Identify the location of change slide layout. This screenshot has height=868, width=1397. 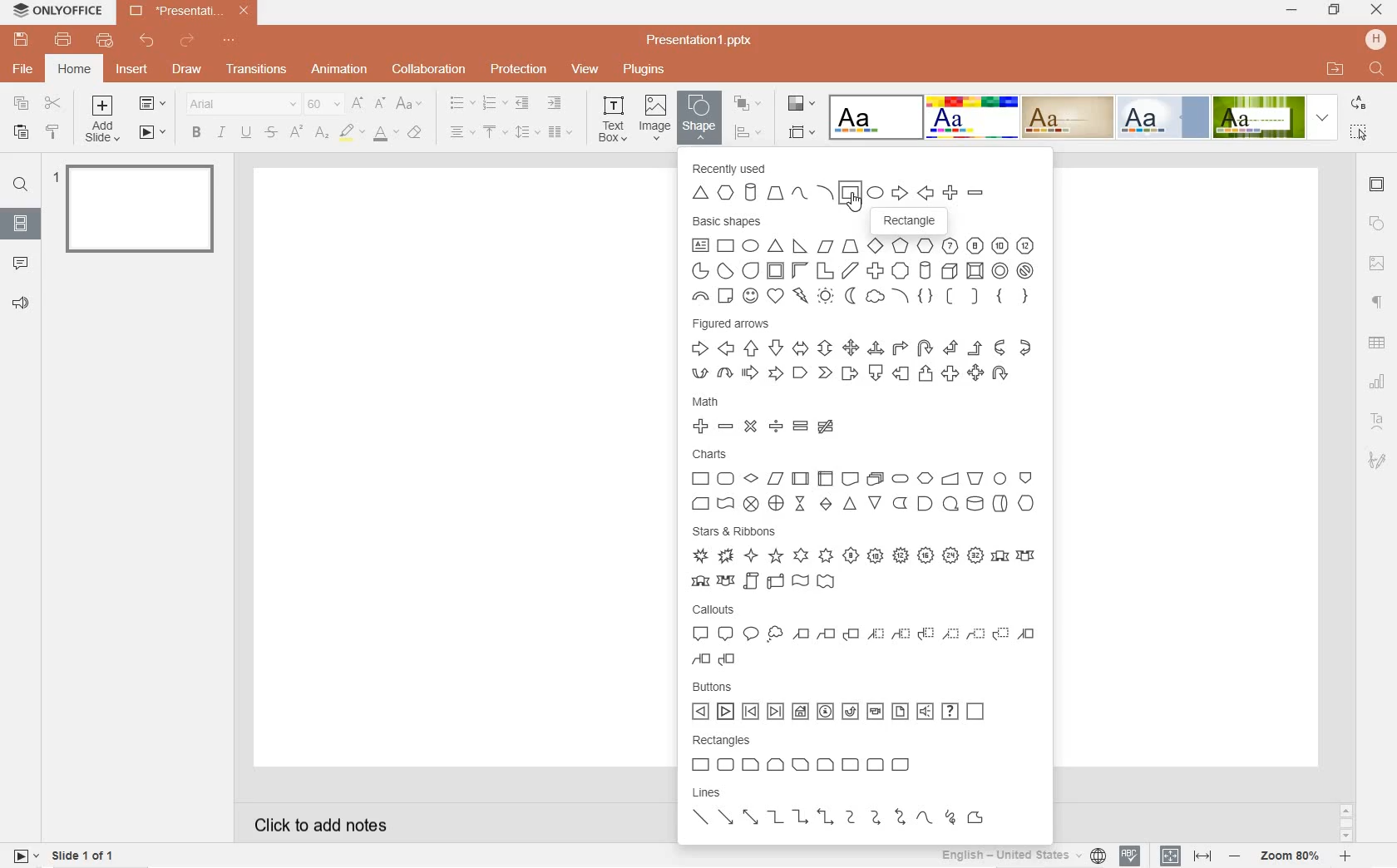
(153, 105).